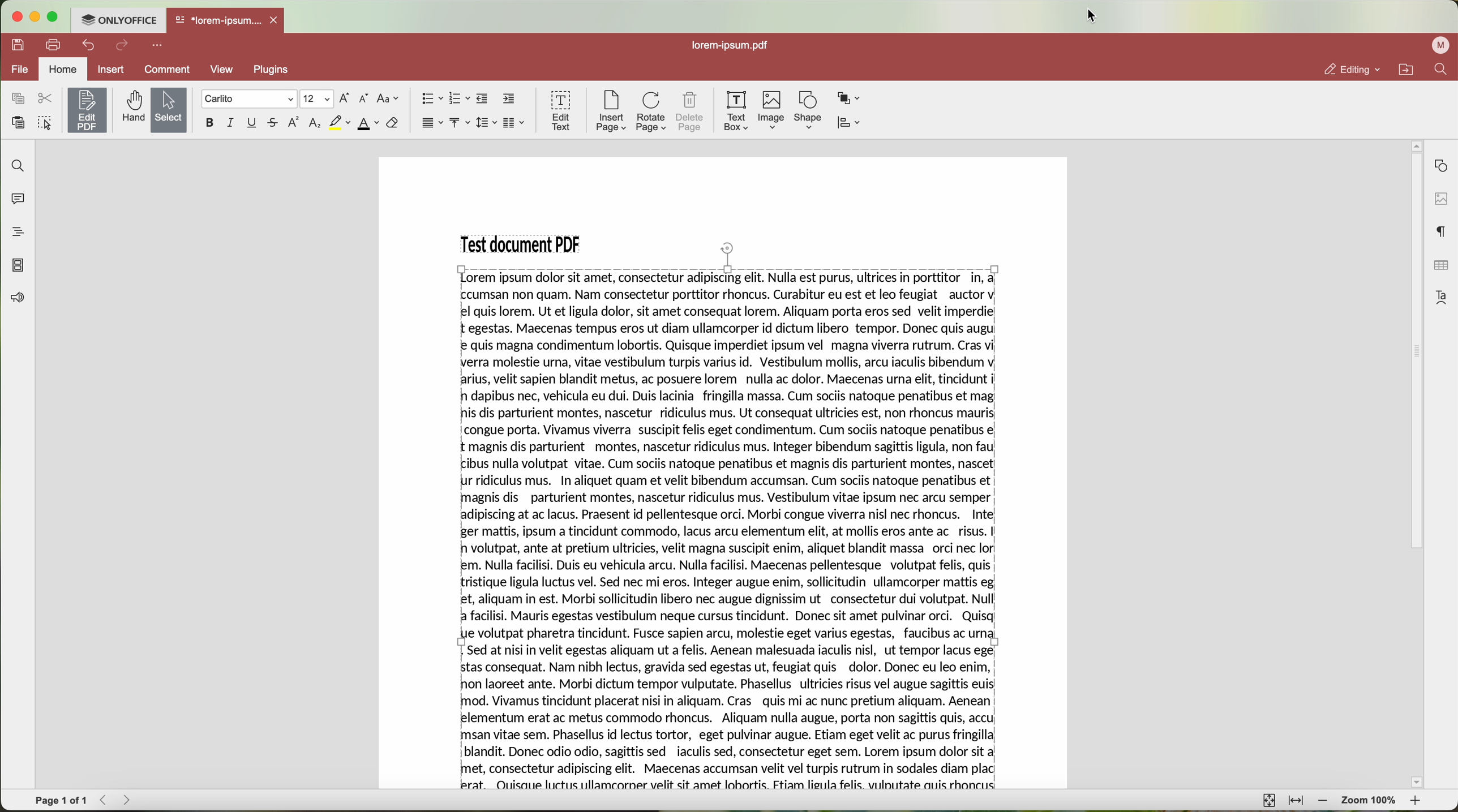 This screenshot has height=812, width=1458. I want to click on image settings, so click(1440, 199).